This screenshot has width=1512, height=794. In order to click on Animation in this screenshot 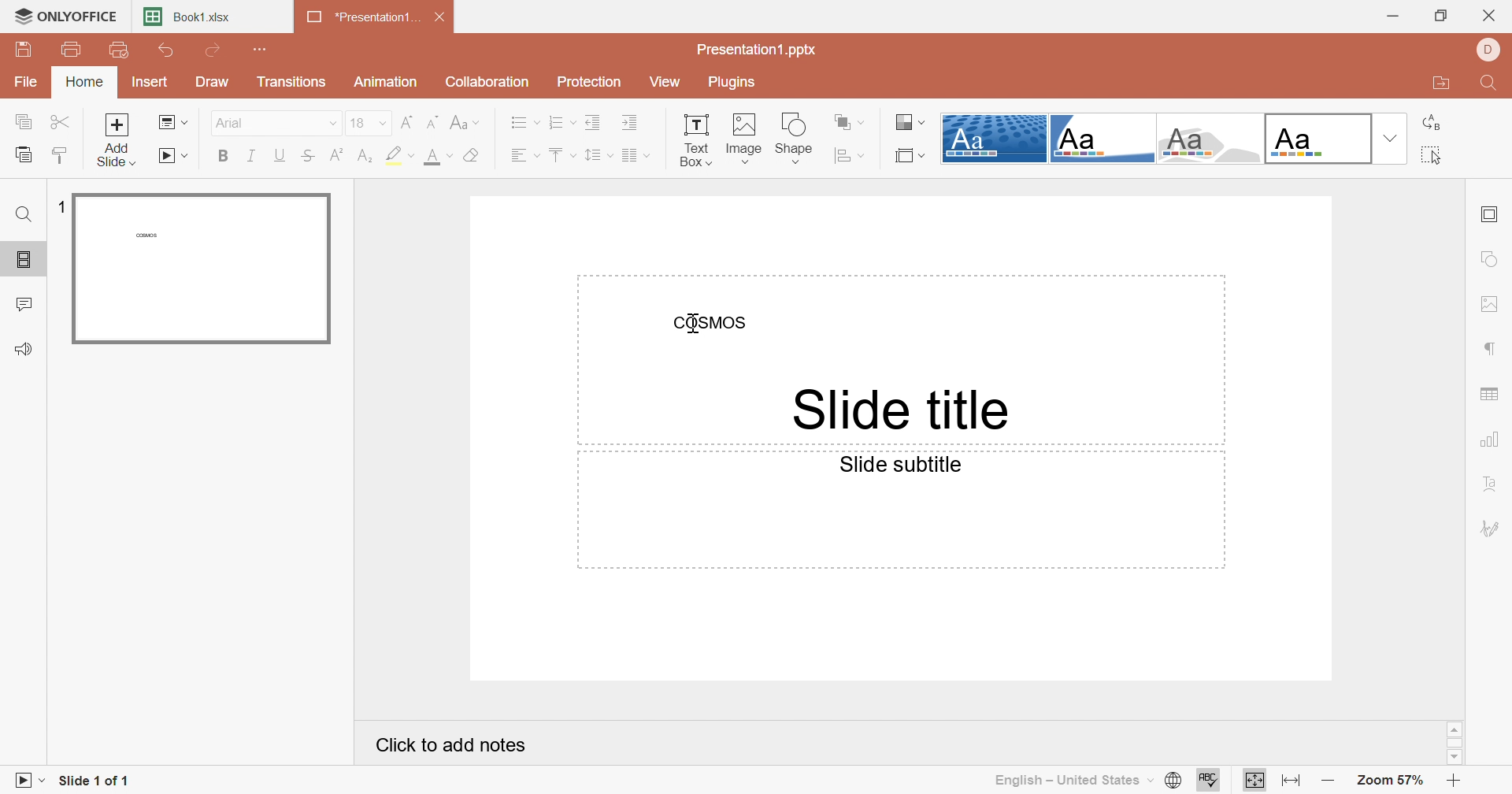, I will do `click(386, 82)`.